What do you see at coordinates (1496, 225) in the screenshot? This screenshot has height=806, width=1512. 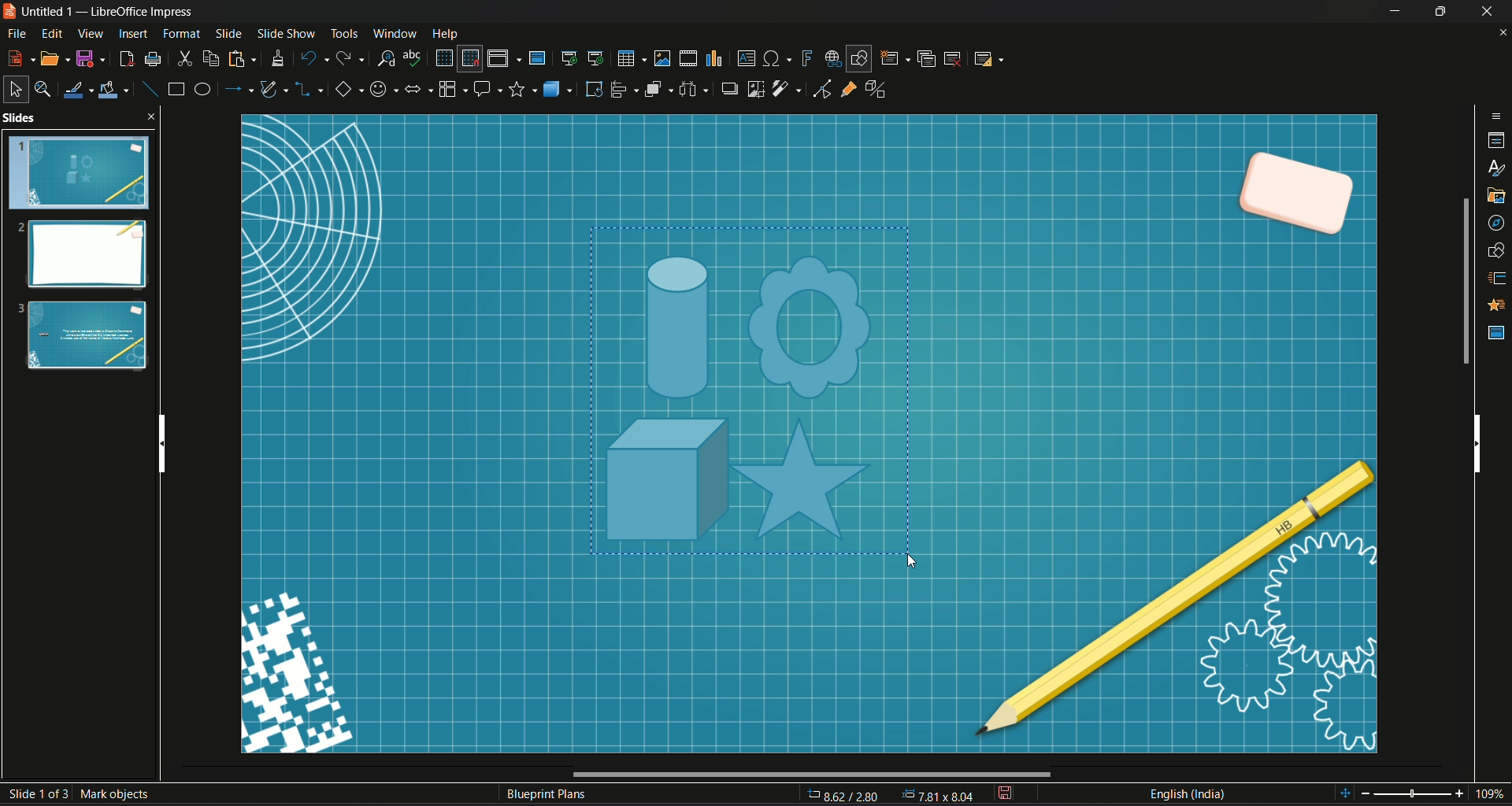 I see `navigator` at bounding box center [1496, 225].